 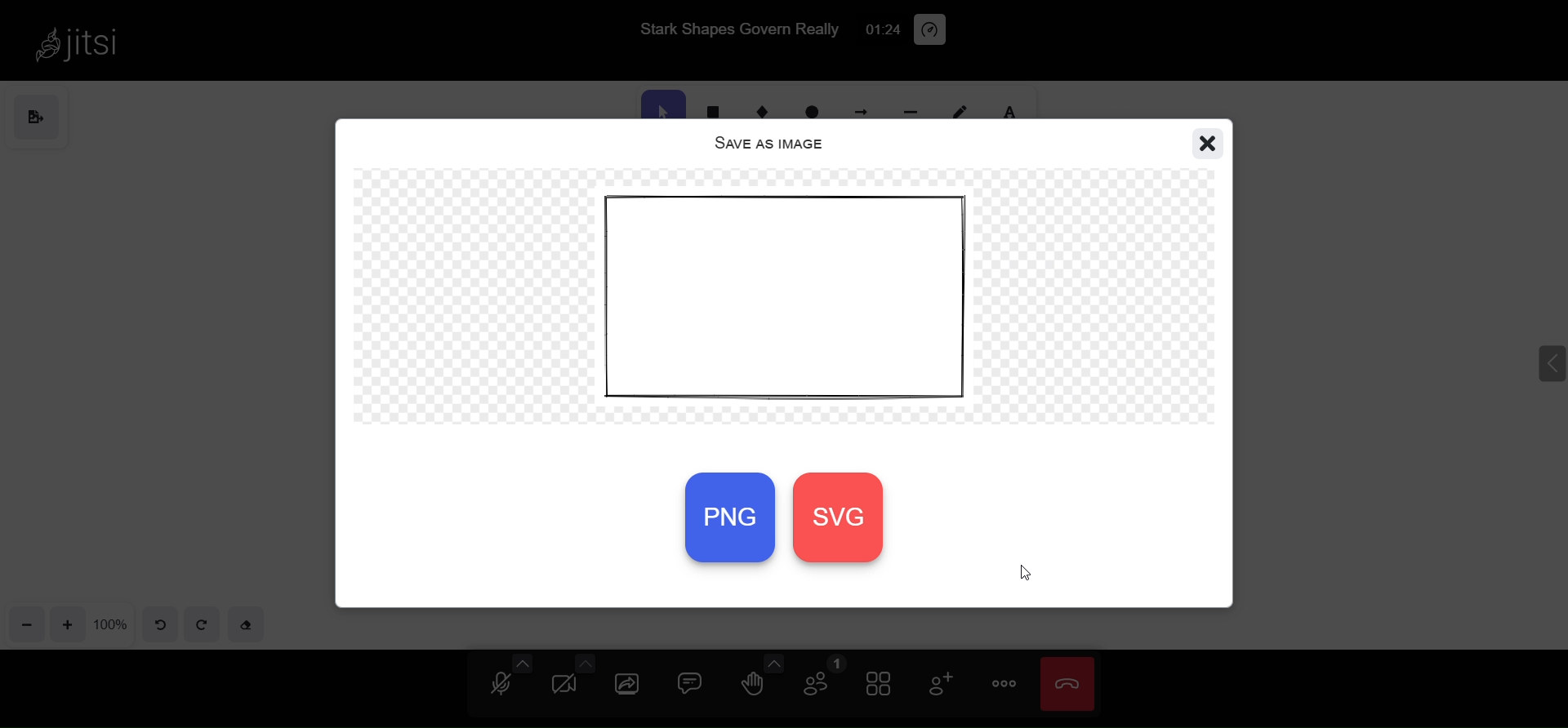 I want to click on cursor, so click(x=1026, y=576).